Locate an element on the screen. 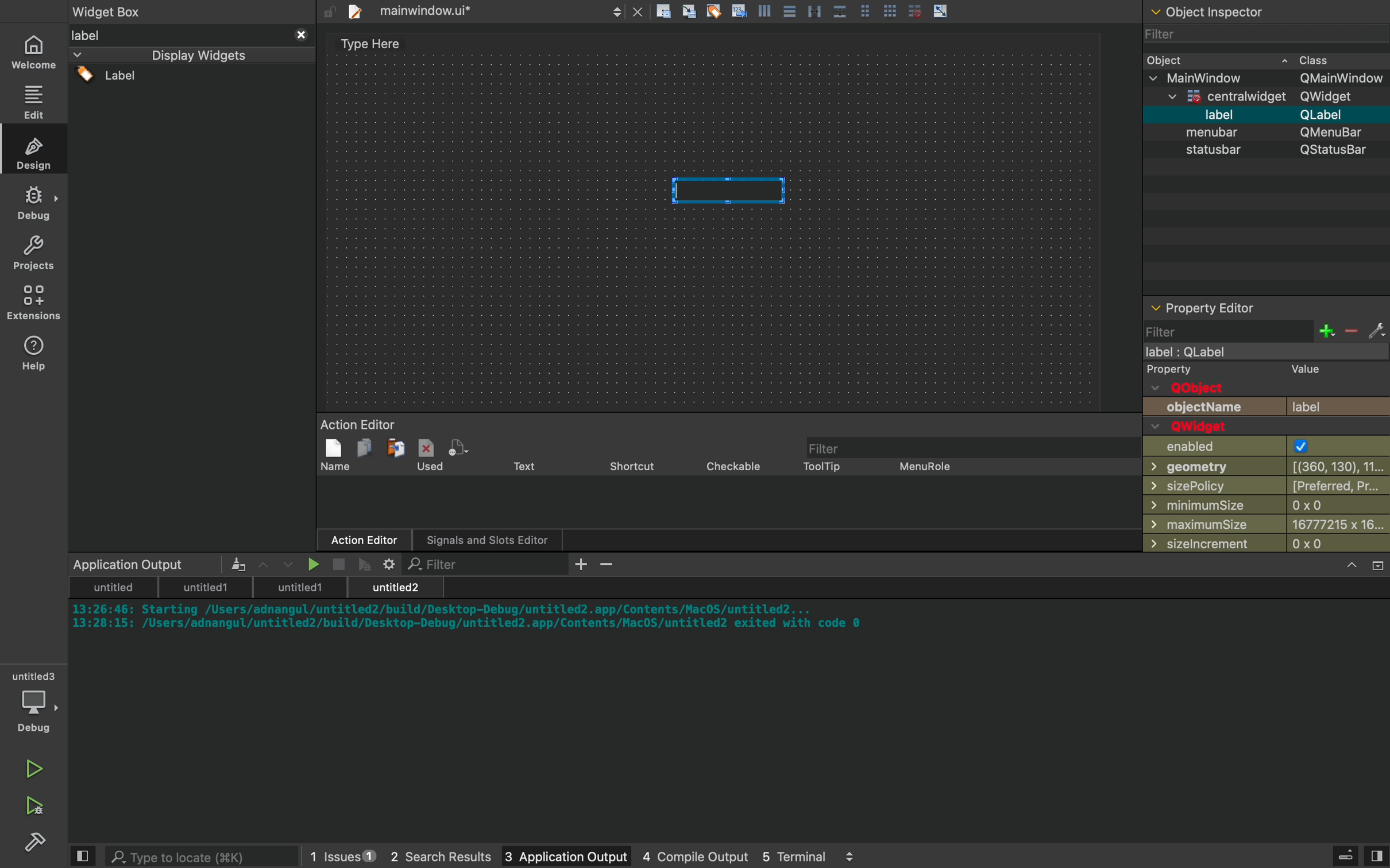 This screenshot has width=1390, height=868. widget class is located at coordinates (1268, 59).